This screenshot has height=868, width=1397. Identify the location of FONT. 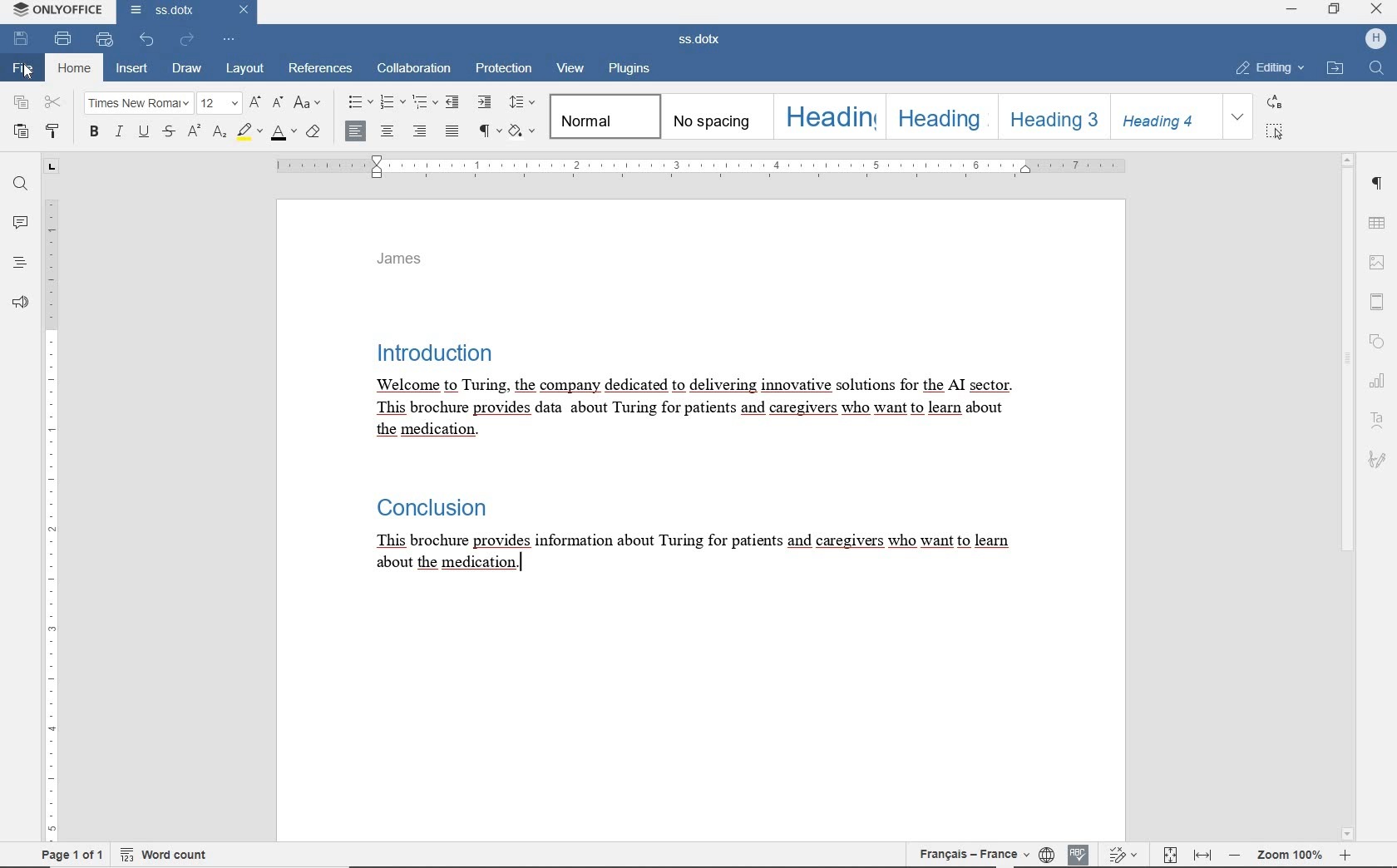
(136, 103).